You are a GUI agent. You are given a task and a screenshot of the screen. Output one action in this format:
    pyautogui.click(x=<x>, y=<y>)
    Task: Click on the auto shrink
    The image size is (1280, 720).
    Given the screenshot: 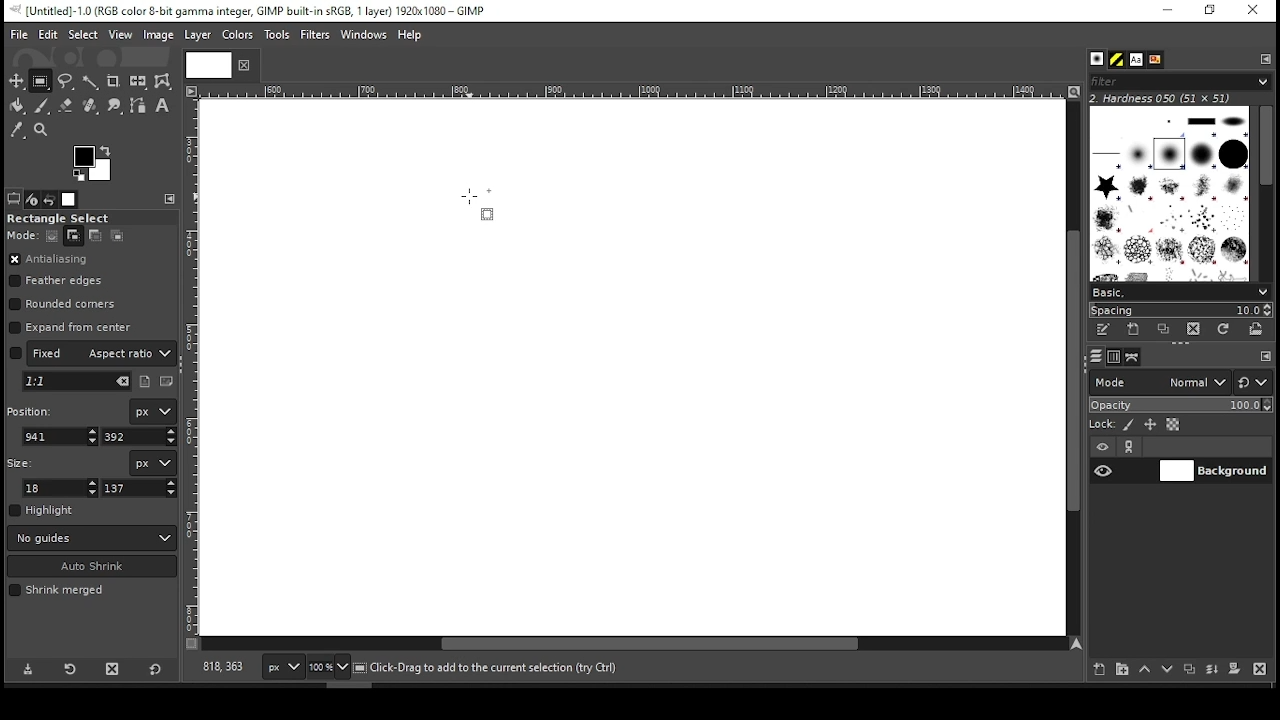 What is the action you would take?
    pyautogui.click(x=93, y=566)
    